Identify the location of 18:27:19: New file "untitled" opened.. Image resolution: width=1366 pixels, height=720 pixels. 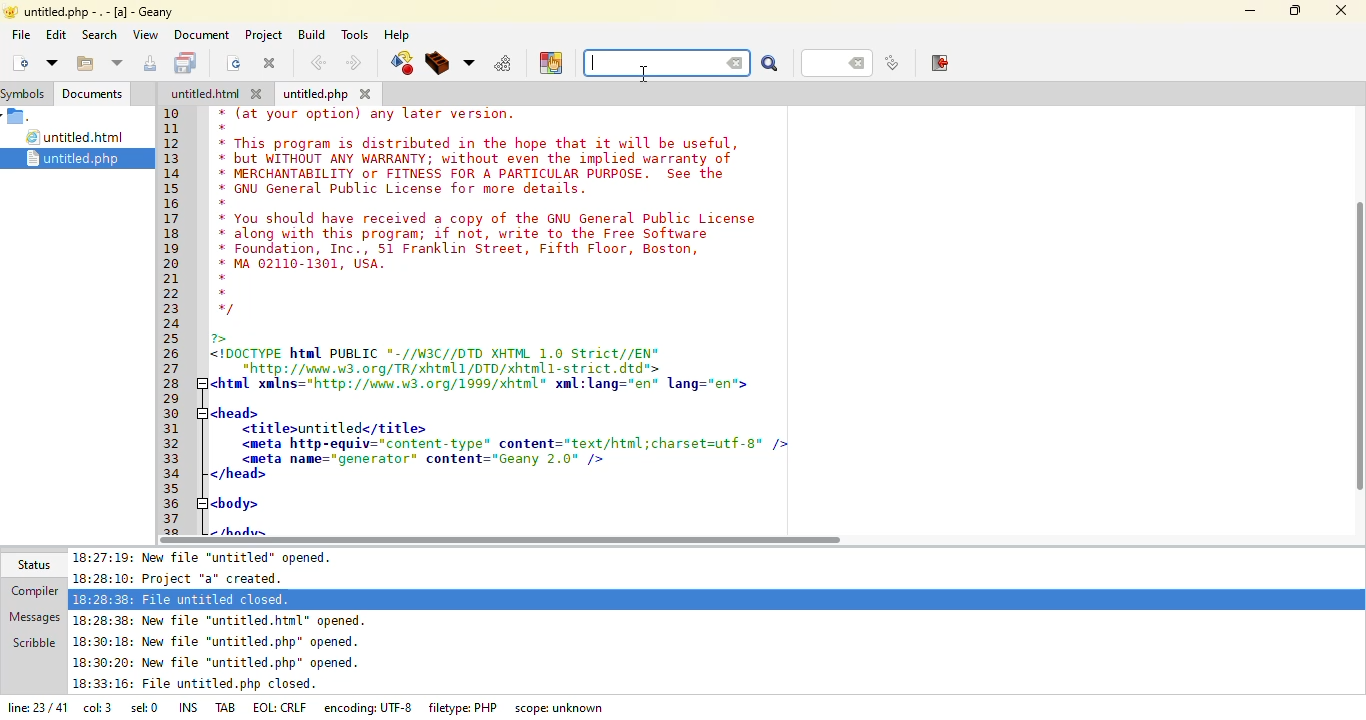
(210, 557).